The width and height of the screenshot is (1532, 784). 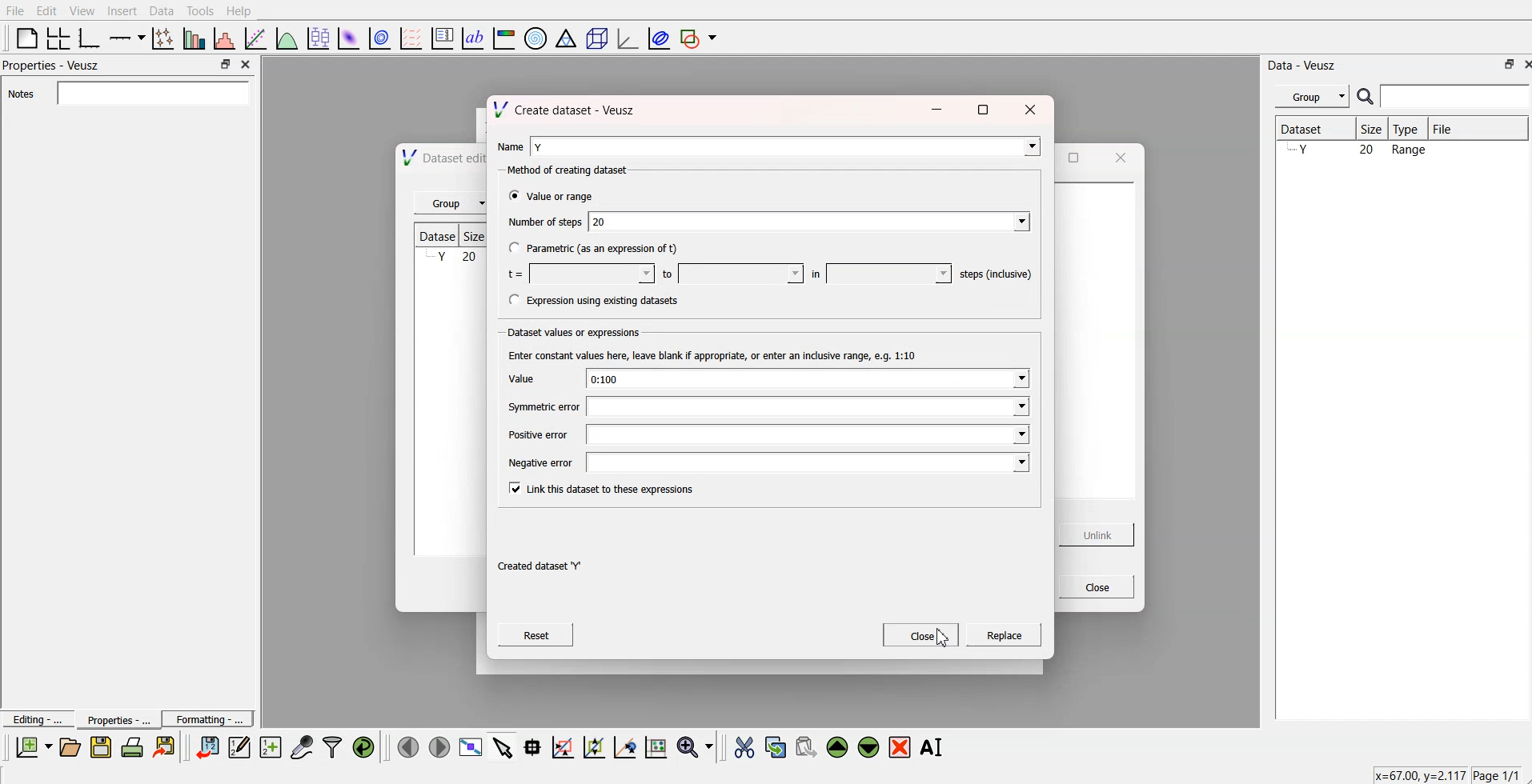 What do you see at coordinates (52, 66) in the screenshot?
I see `Properties - Veusz` at bounding box center [52, 66].